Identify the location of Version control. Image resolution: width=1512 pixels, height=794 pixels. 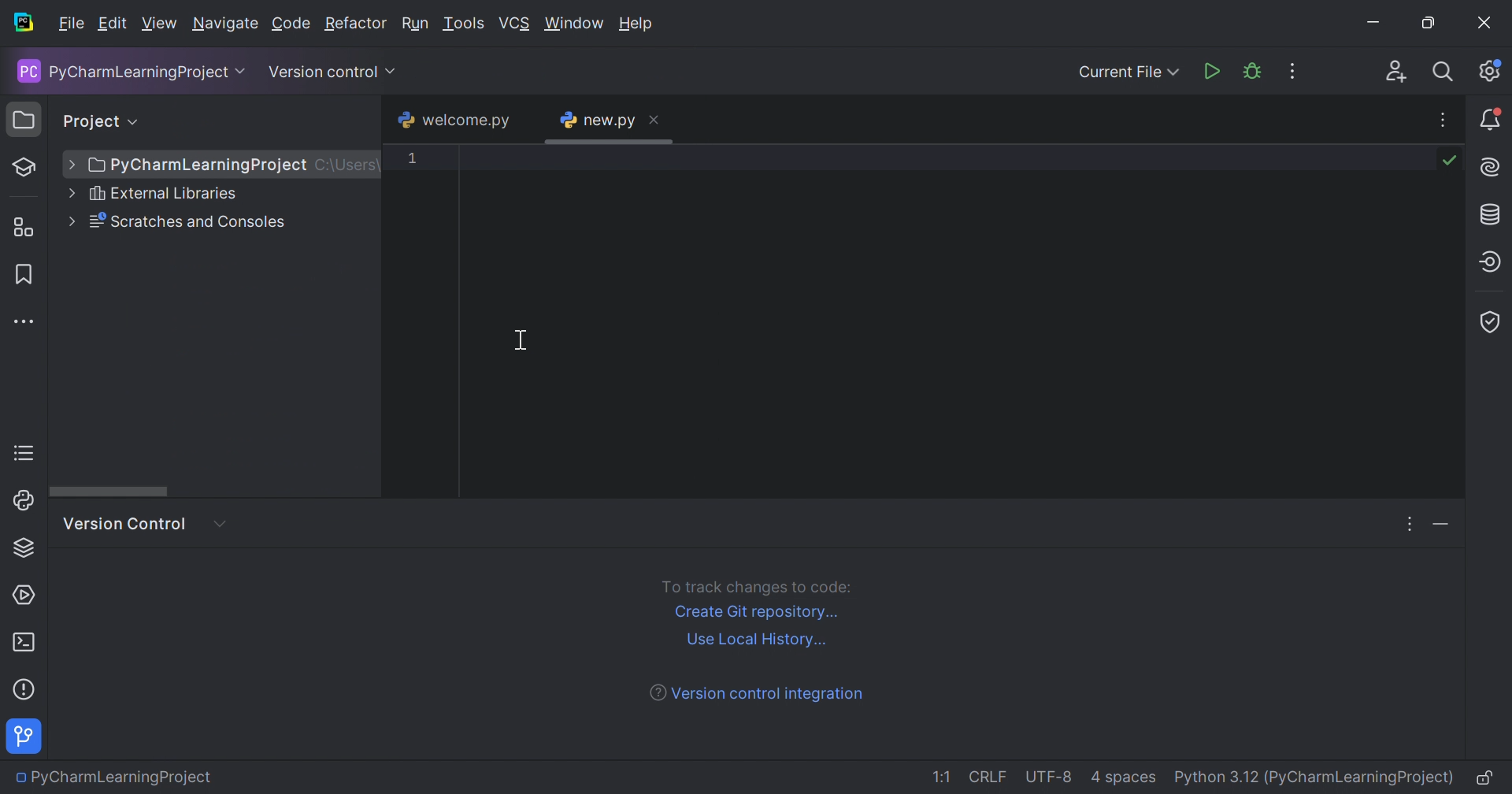
(335, 74).